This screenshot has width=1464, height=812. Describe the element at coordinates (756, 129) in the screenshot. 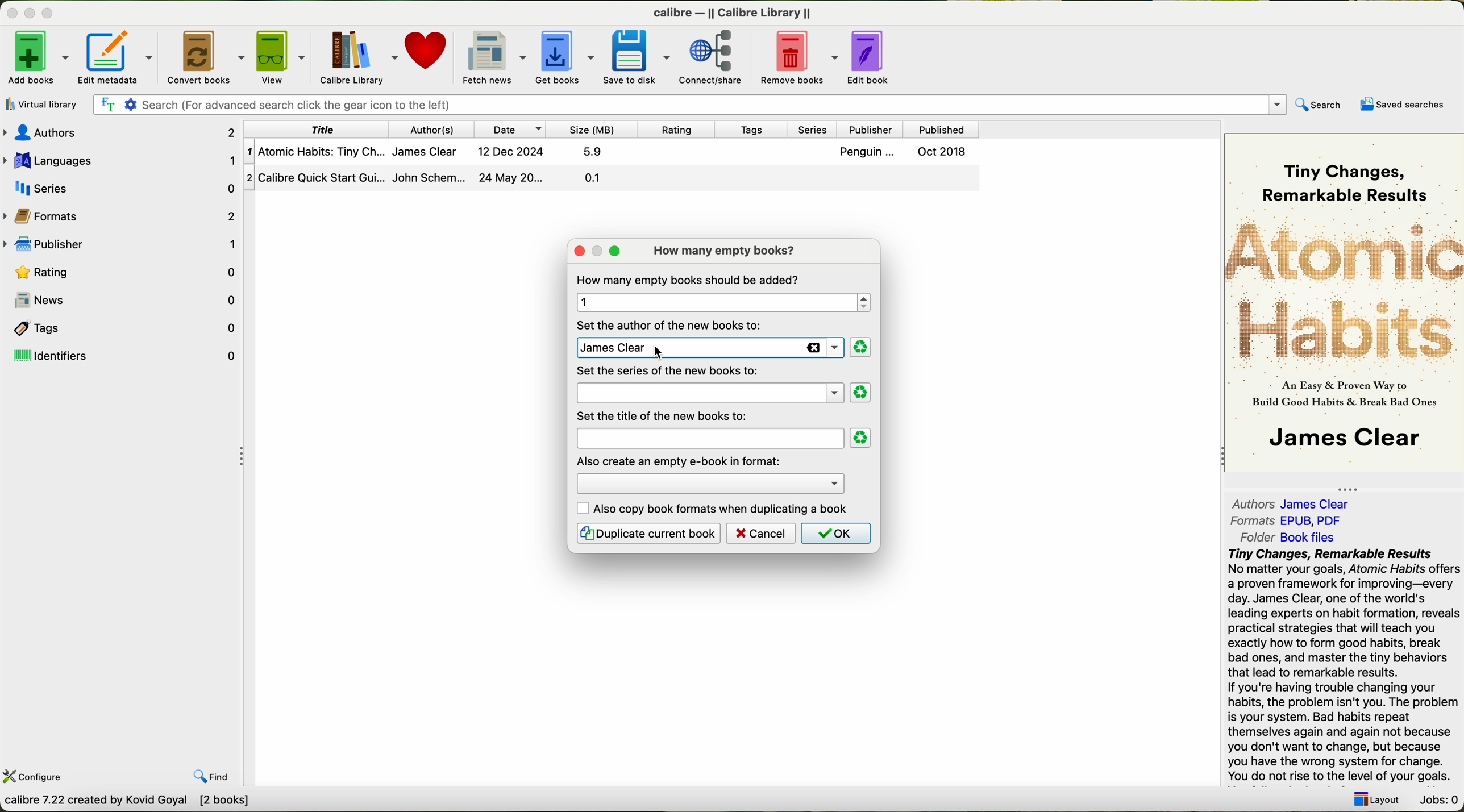

I see `tags` at that location.